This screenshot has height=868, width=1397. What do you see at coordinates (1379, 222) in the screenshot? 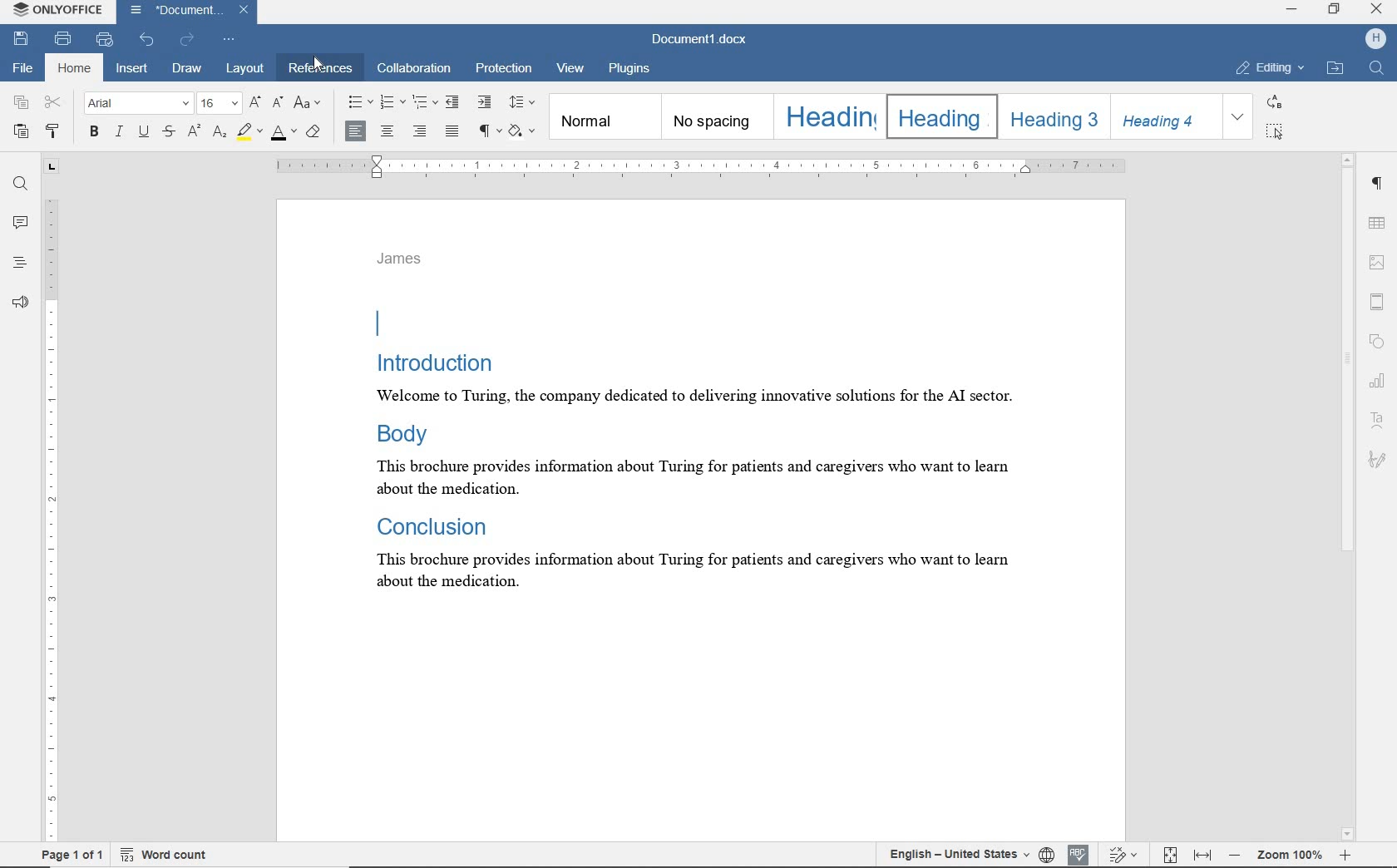
I see `table` at bounding box center [1379, 222].